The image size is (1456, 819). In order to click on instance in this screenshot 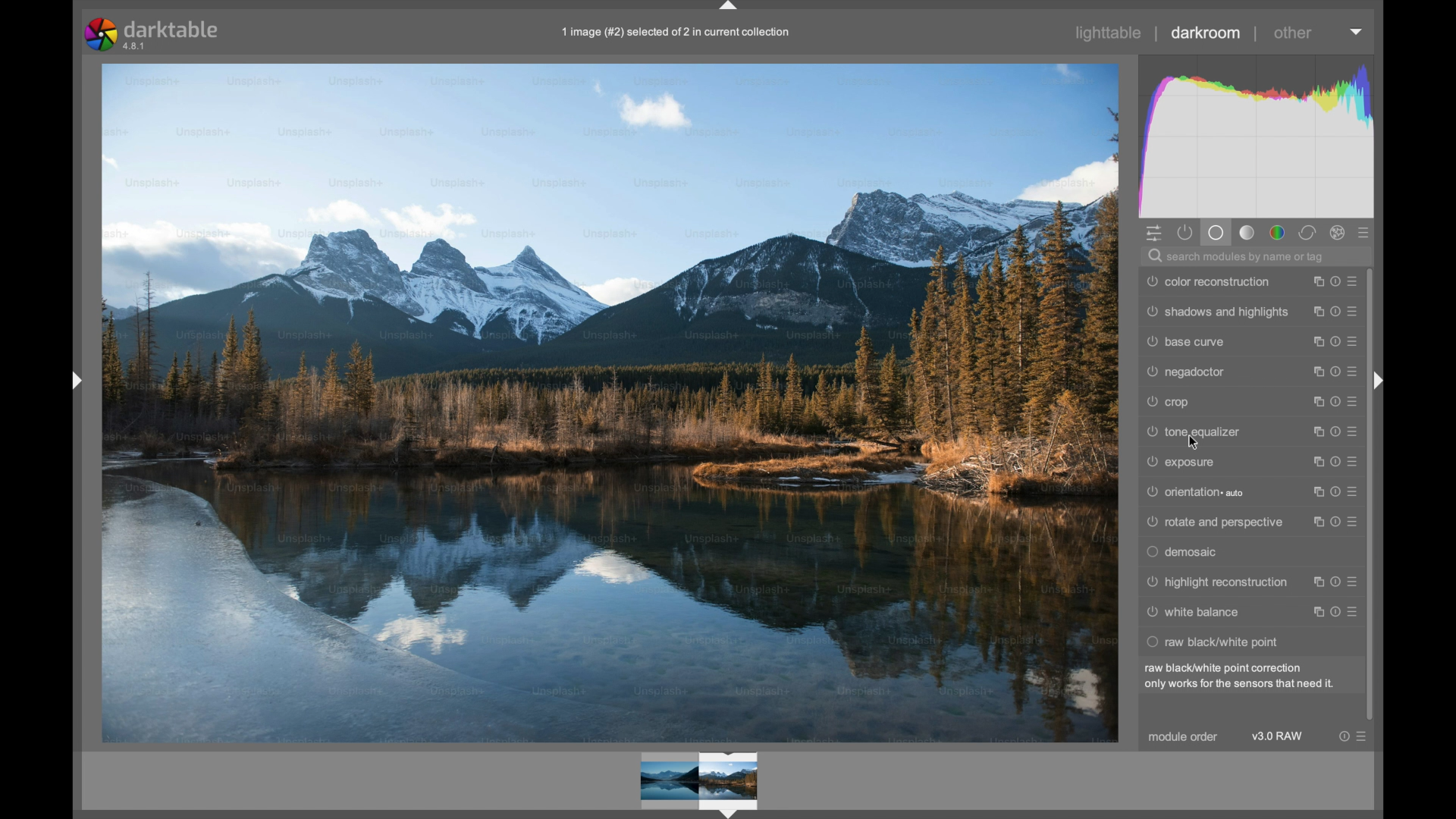, I will do `click(1316, 522)`.